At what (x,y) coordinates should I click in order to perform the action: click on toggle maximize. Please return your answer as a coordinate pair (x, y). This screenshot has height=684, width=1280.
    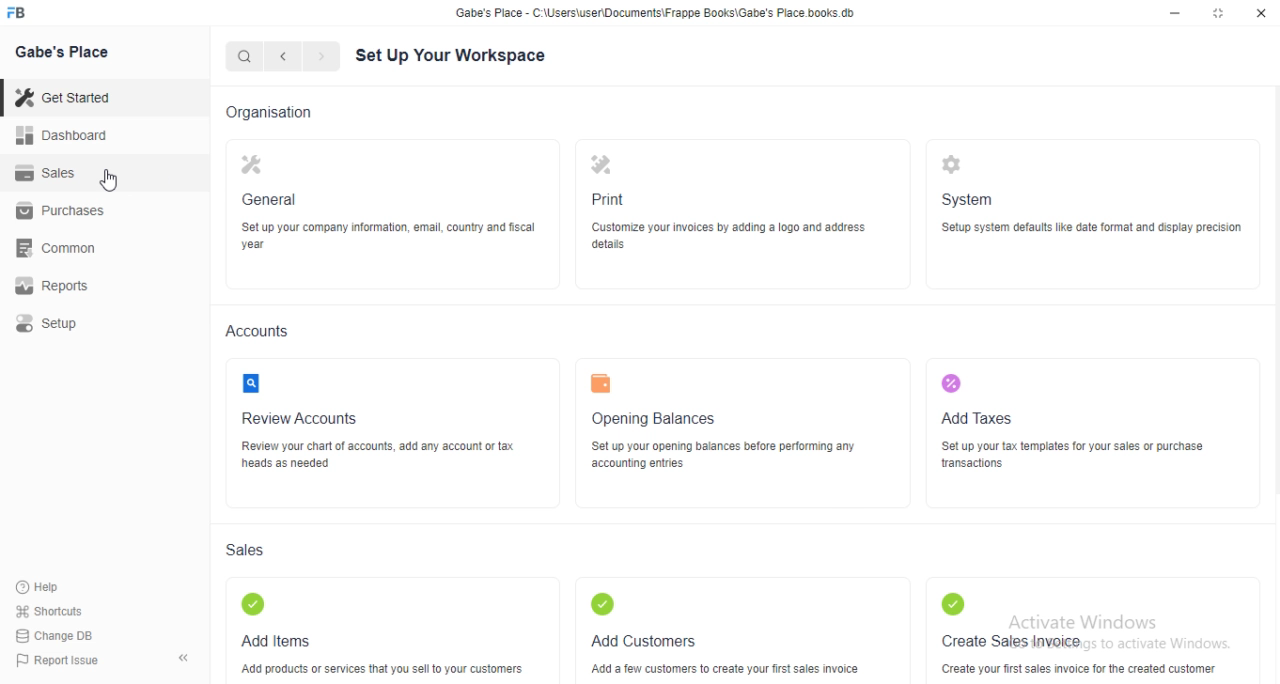
    Looking at the image, I should click on (1219, 12).